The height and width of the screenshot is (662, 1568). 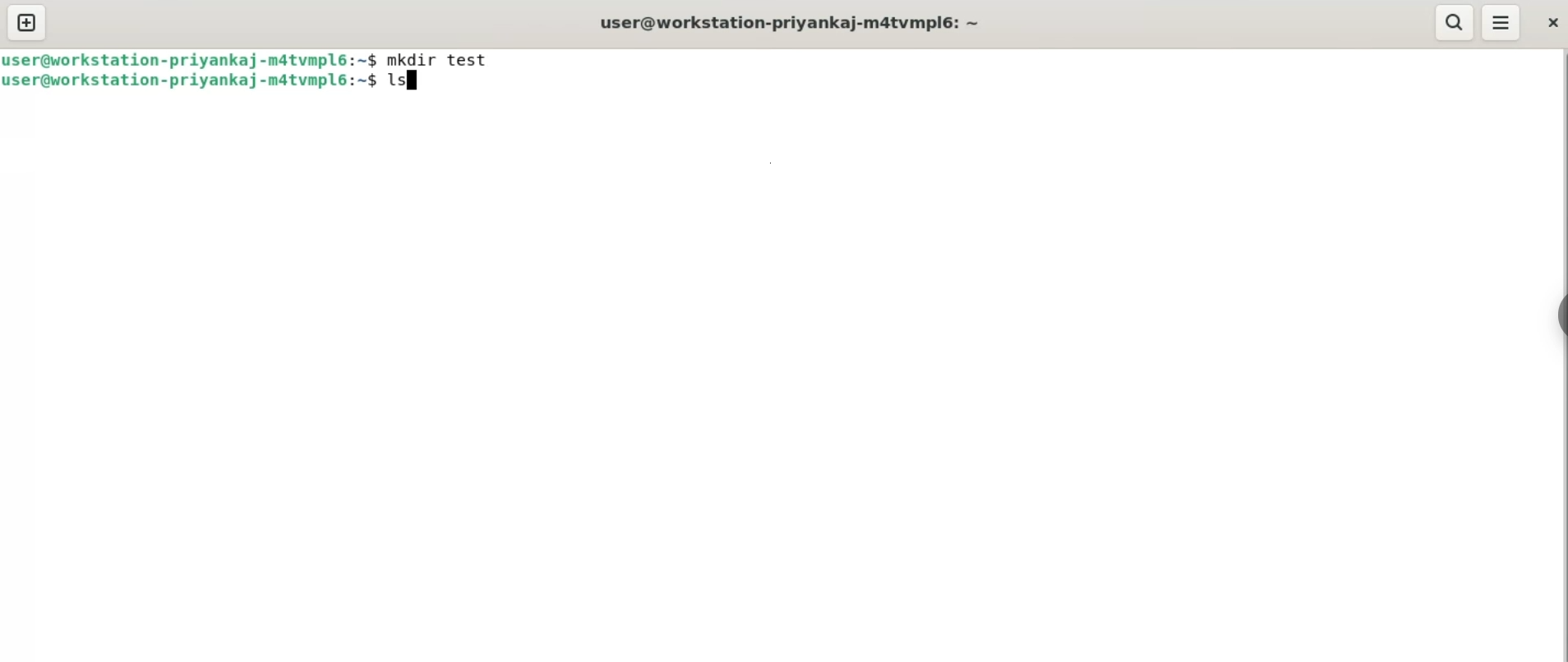 I want to click on user@workstation-priyankaj-m4tvmpl6: ~$, so click(x=191, y=81).